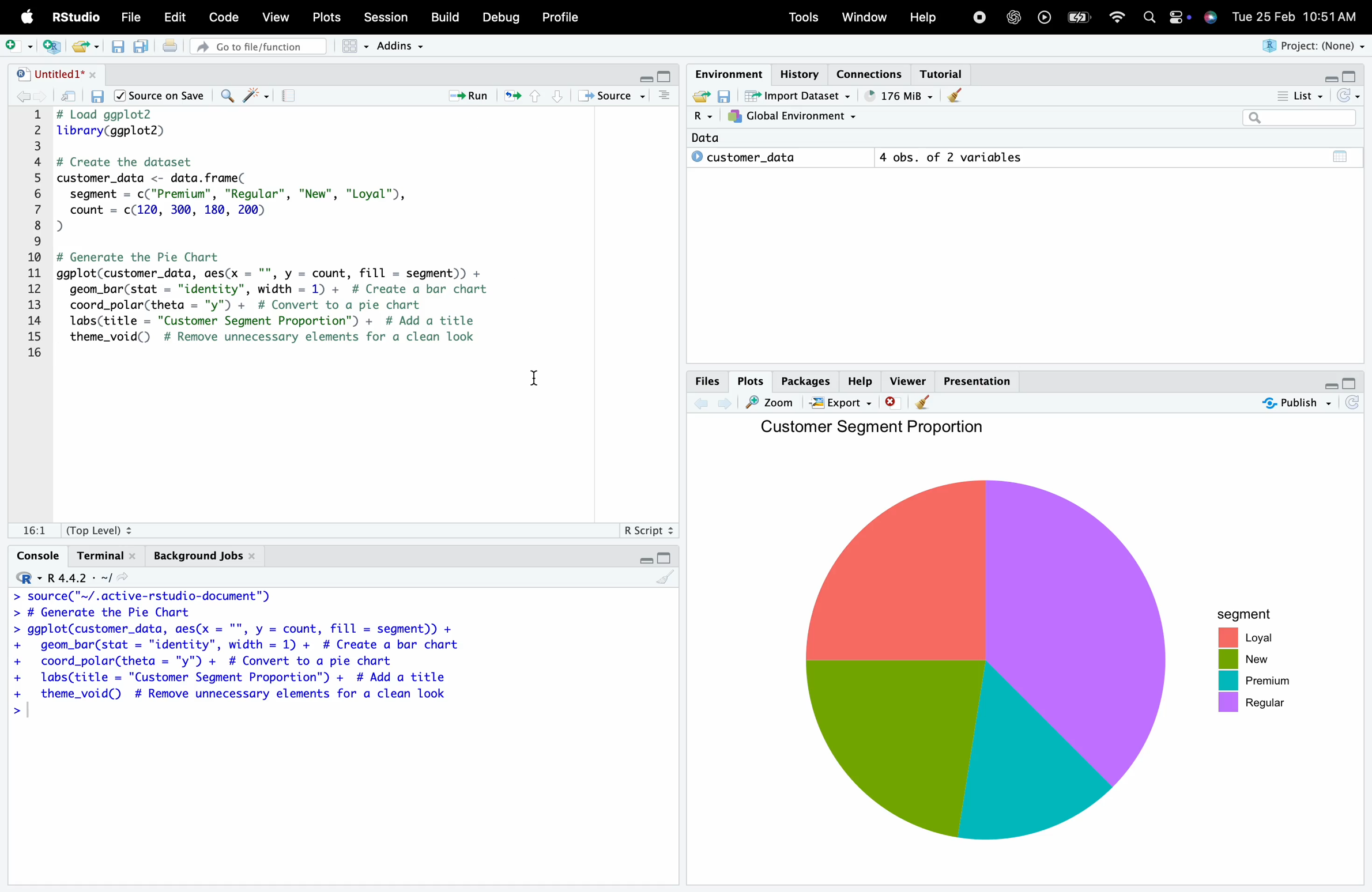 The image size is (1372, 892). What do you see at coordinates (203, 557) in the screenshot?
I see `Background Jobs` at bounding box center [203, 557].